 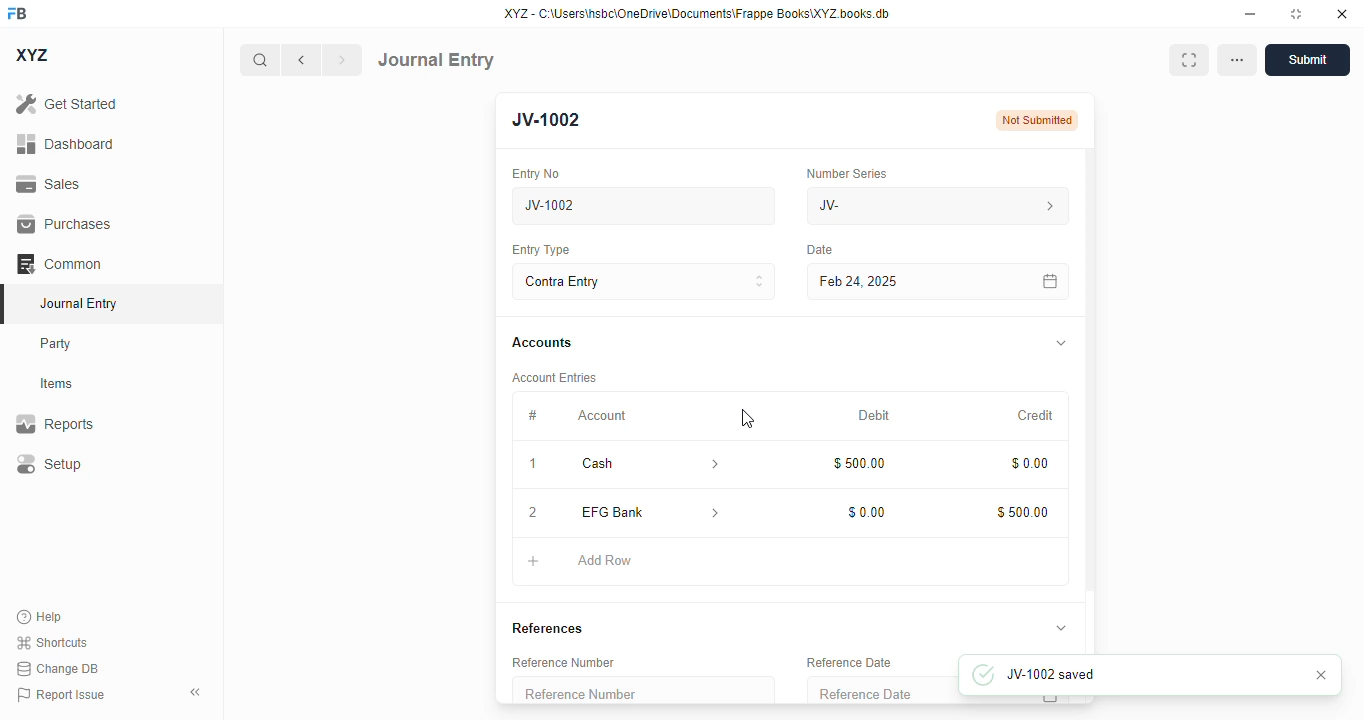 I want to click on feb 24, 2025, so click(x=895, y=282).